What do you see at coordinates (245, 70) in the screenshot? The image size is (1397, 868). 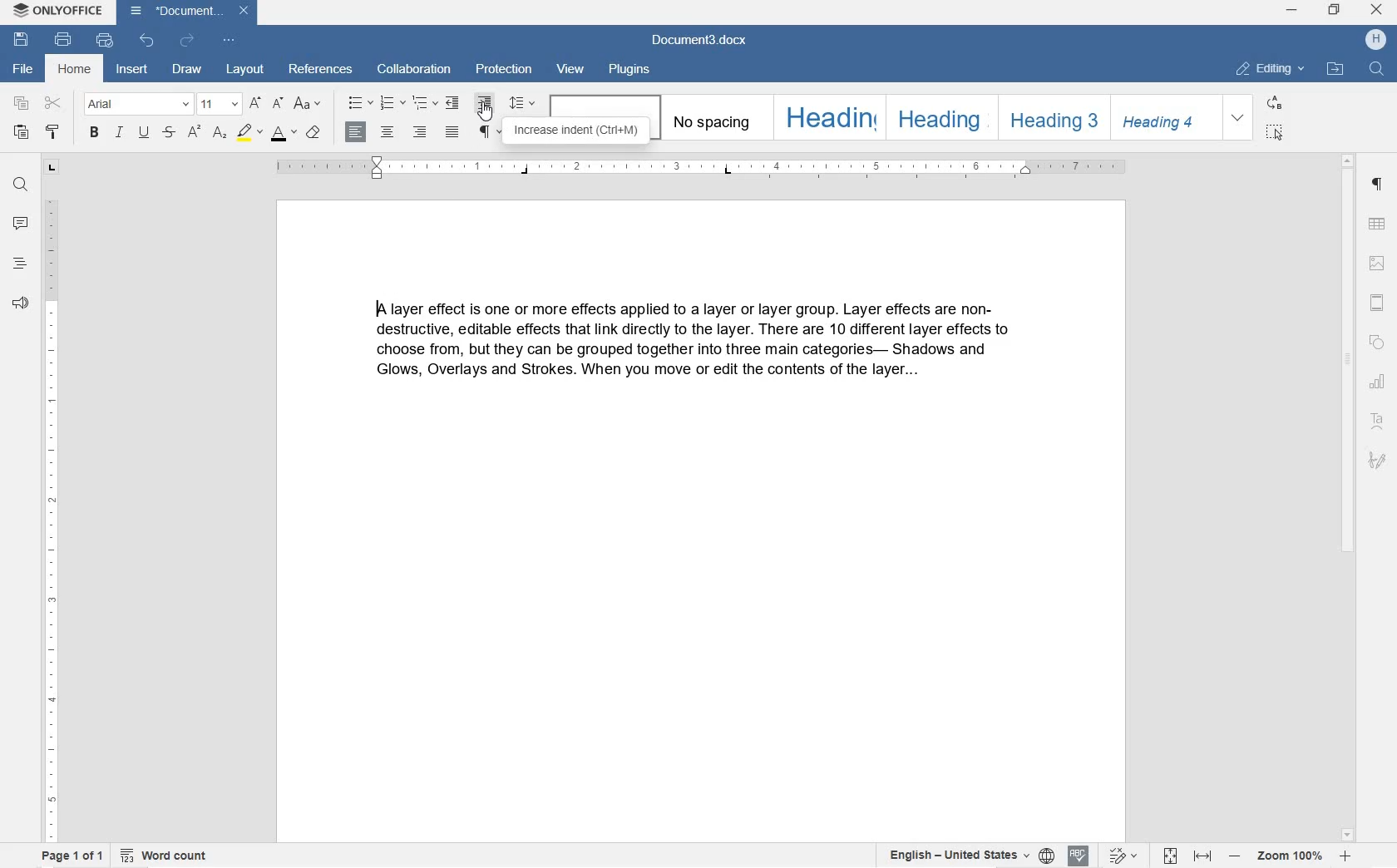 I see `LAYOUT` at bounding box center [245, 70].